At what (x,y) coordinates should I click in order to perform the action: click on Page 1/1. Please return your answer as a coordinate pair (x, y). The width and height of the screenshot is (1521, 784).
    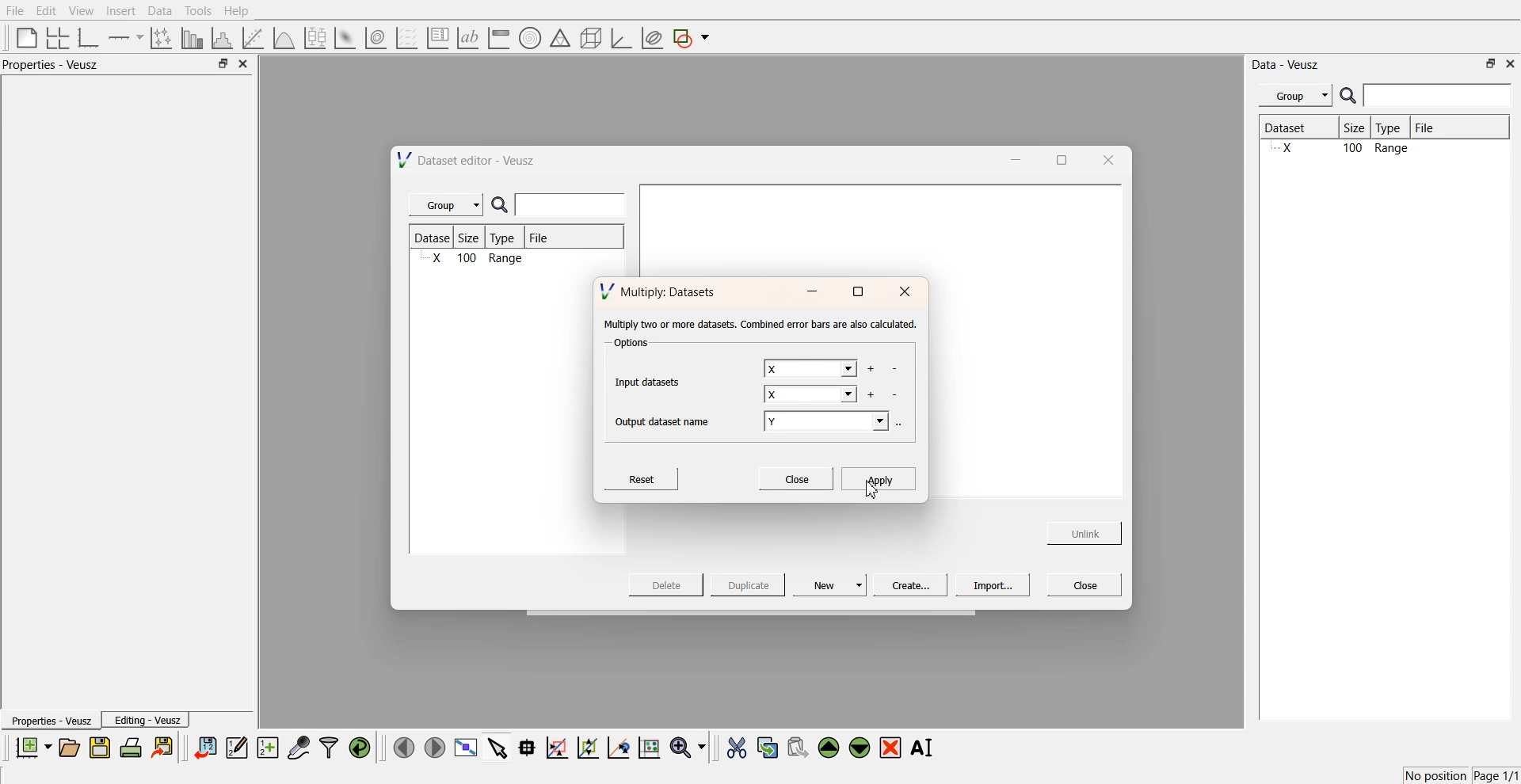
    Looking at the image, I should click on (1497, 776).